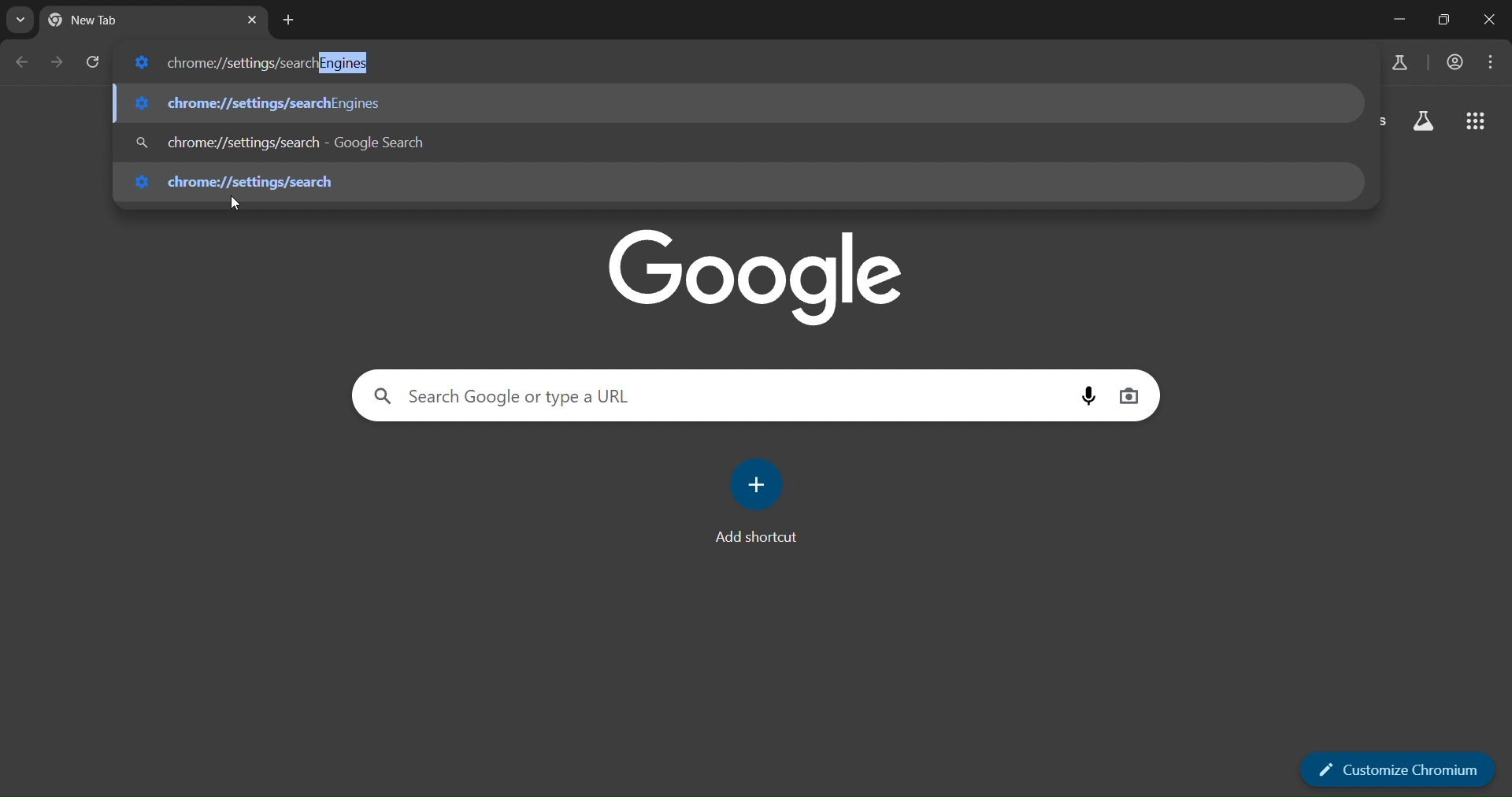 The width and height of the screenshot is (1512, 797). Describe the element at coordinates (1403, 63) in the screenshot. I see `search labs` at that location.